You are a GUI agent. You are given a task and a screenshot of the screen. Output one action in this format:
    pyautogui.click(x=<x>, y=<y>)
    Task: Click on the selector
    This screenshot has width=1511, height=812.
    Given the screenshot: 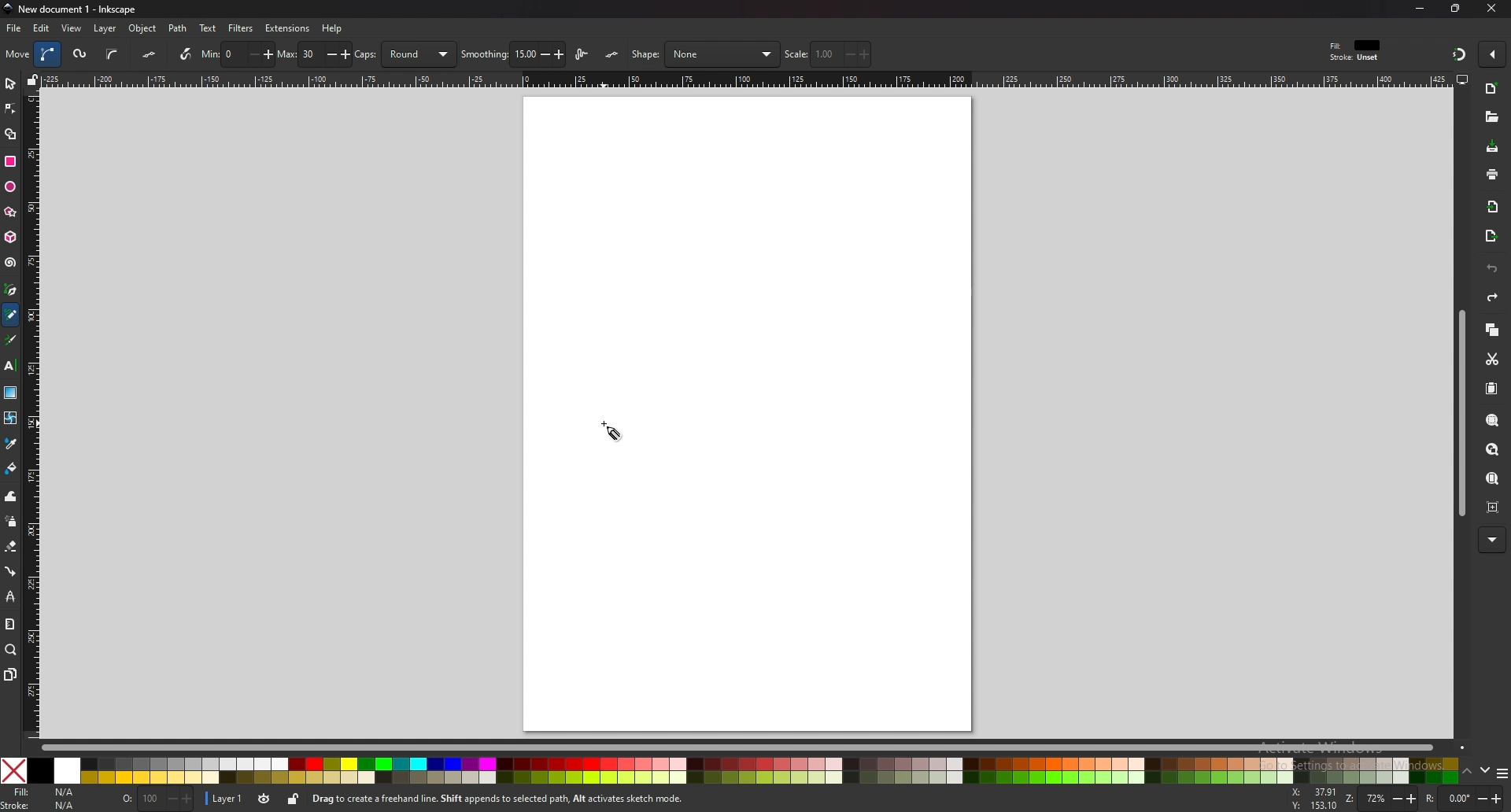 What is the action you would take?
    pyautogui.click(x=10, y=83)
    